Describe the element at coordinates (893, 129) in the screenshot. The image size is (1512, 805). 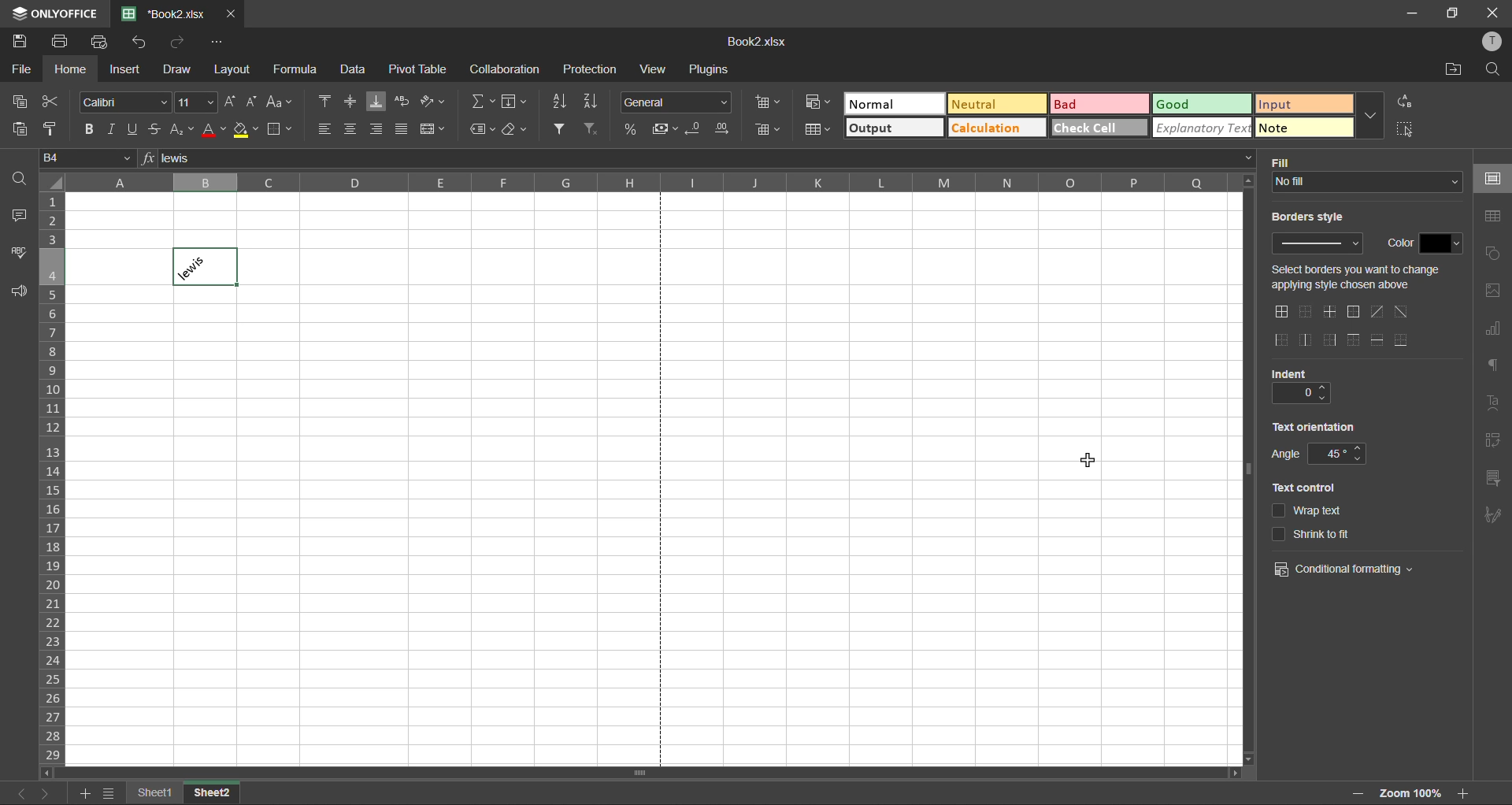
I see `output` at that location.